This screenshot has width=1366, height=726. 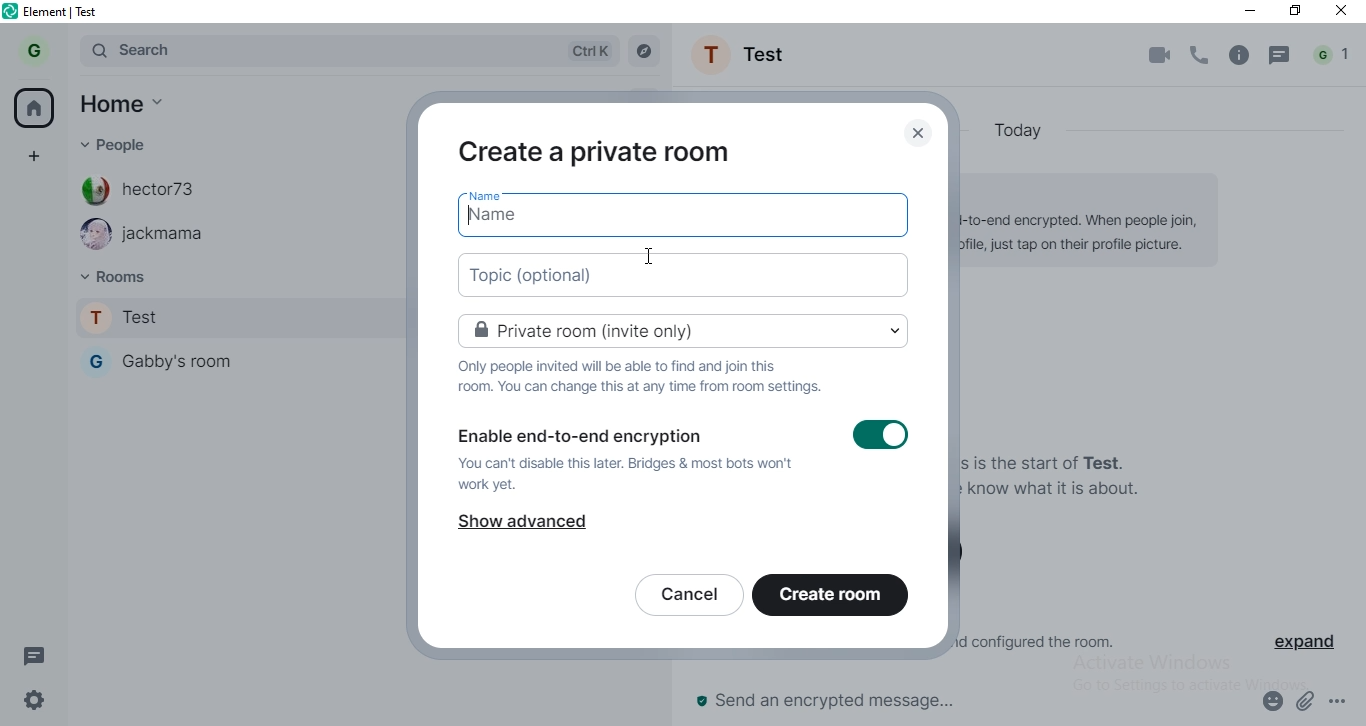 I want to click on private room, so click(x=691, y=334).